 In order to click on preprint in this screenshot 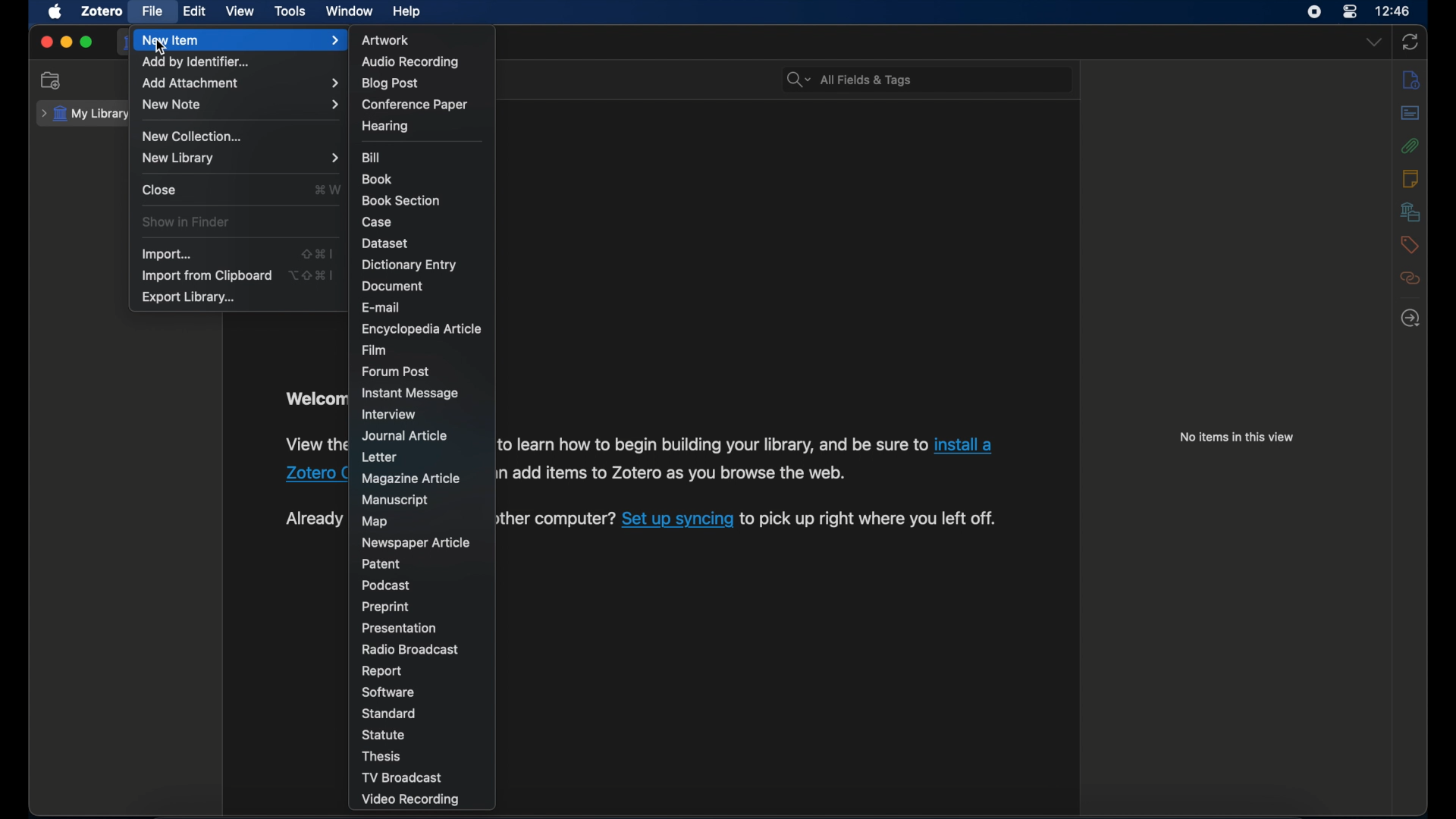, I will do `click(385, 607)`.